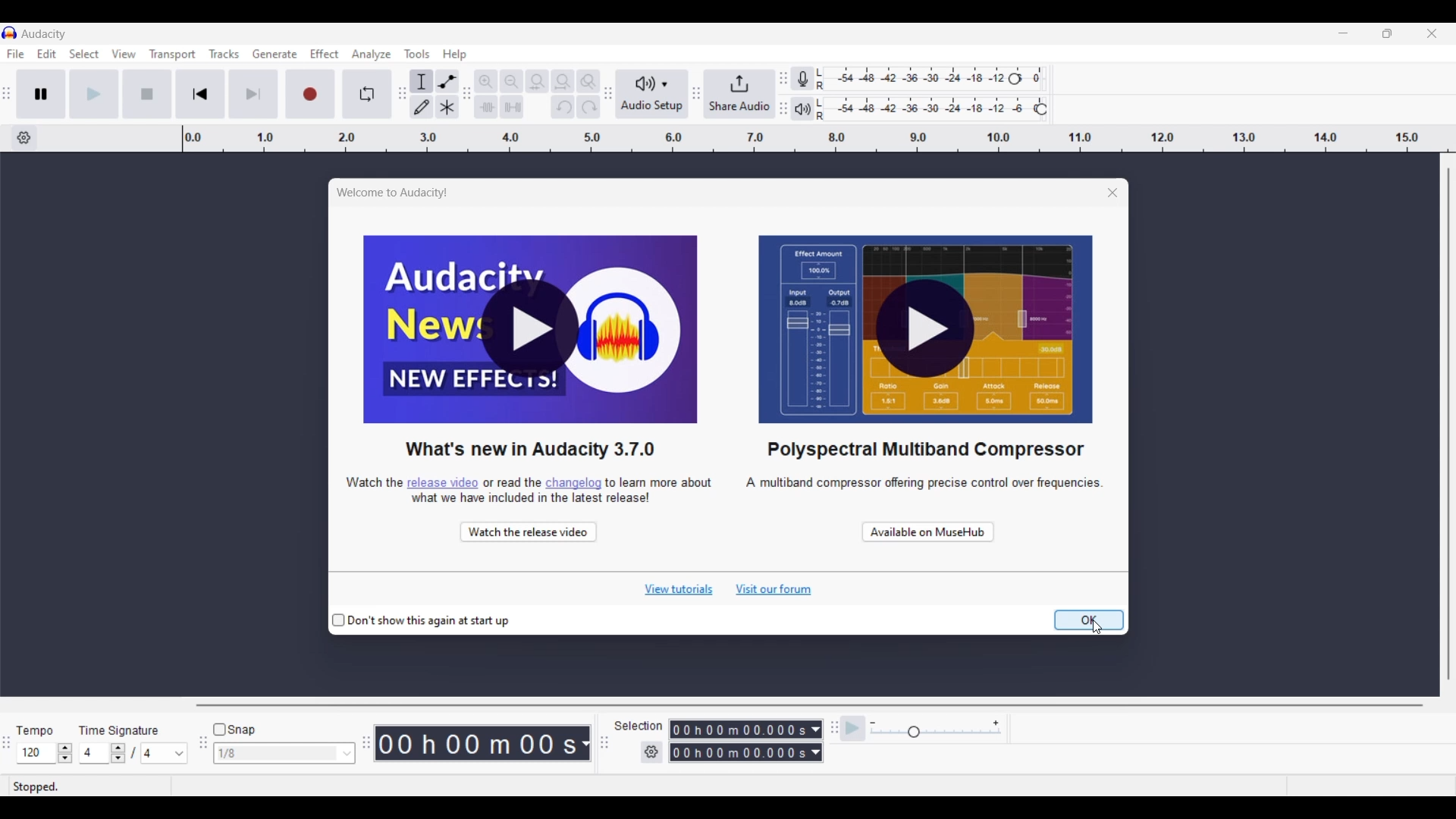 The image size is (1456, 819). I want to click on Selection duration, so click(739, 742).